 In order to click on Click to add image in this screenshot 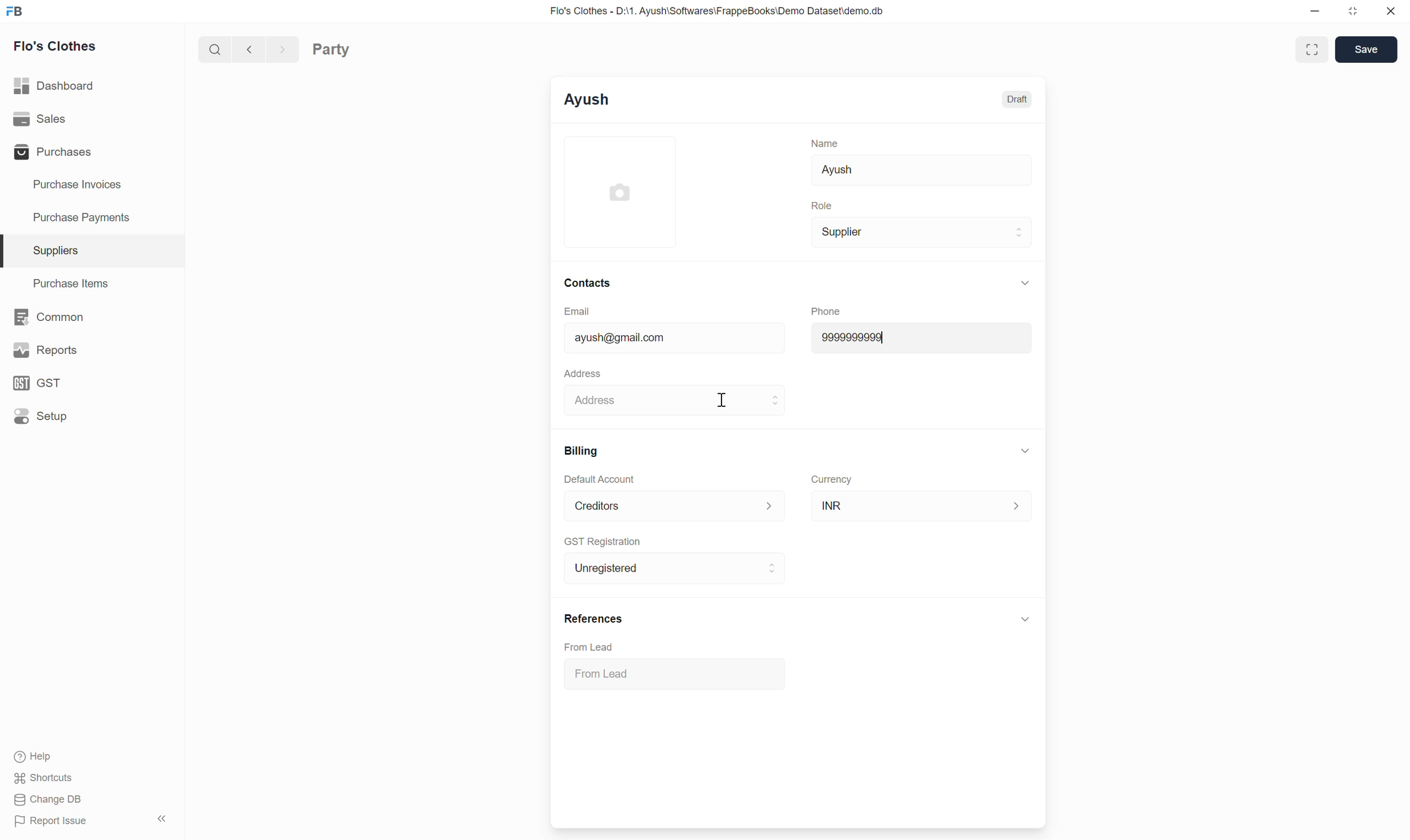, I will do `click(620, 191)`.